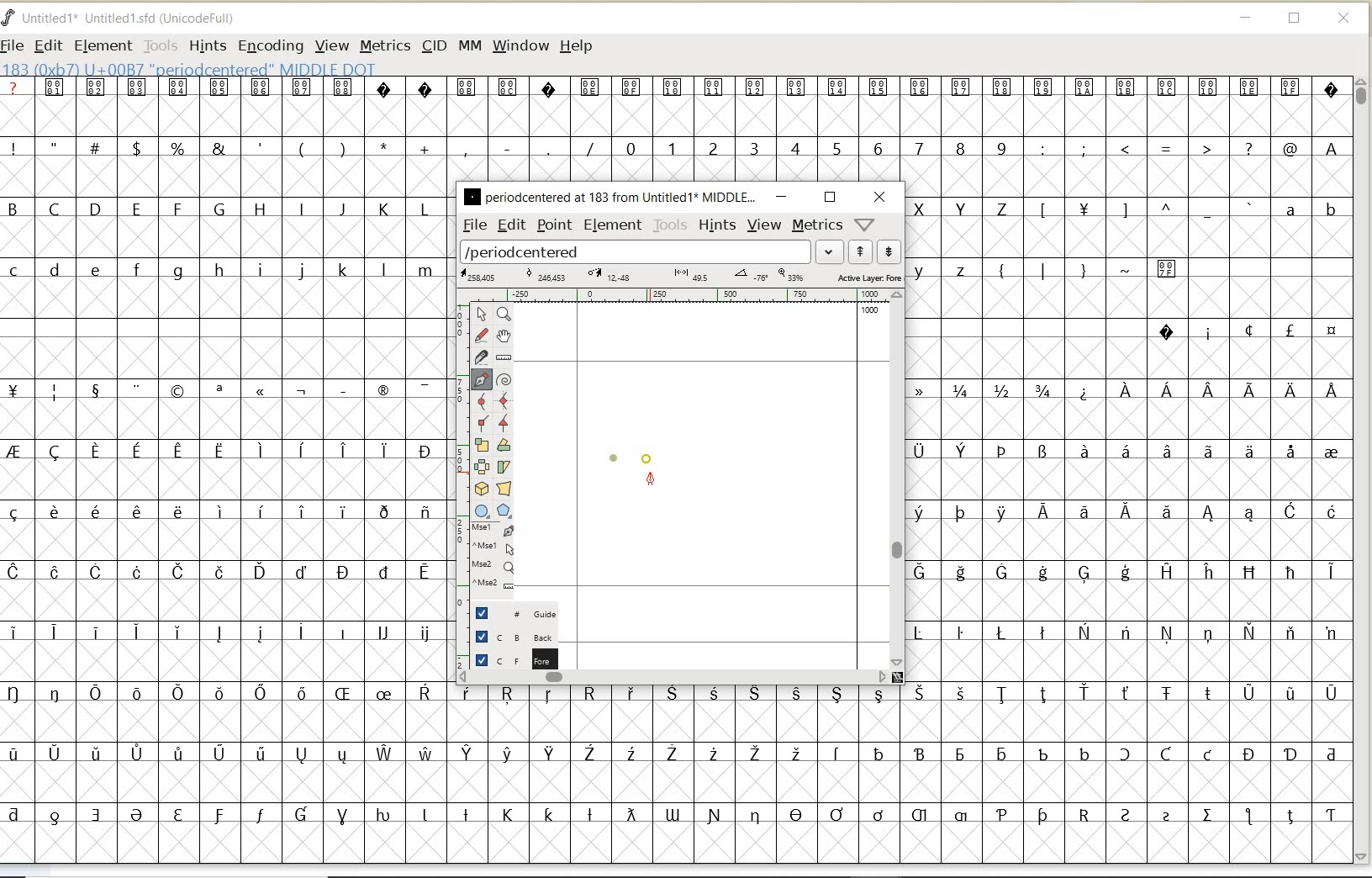 Image resolution: width=1372 pixels, height=878 pixels. Describe the element at coordinates (480, 446) in the screenshot. I see `scale the selection` at that location.